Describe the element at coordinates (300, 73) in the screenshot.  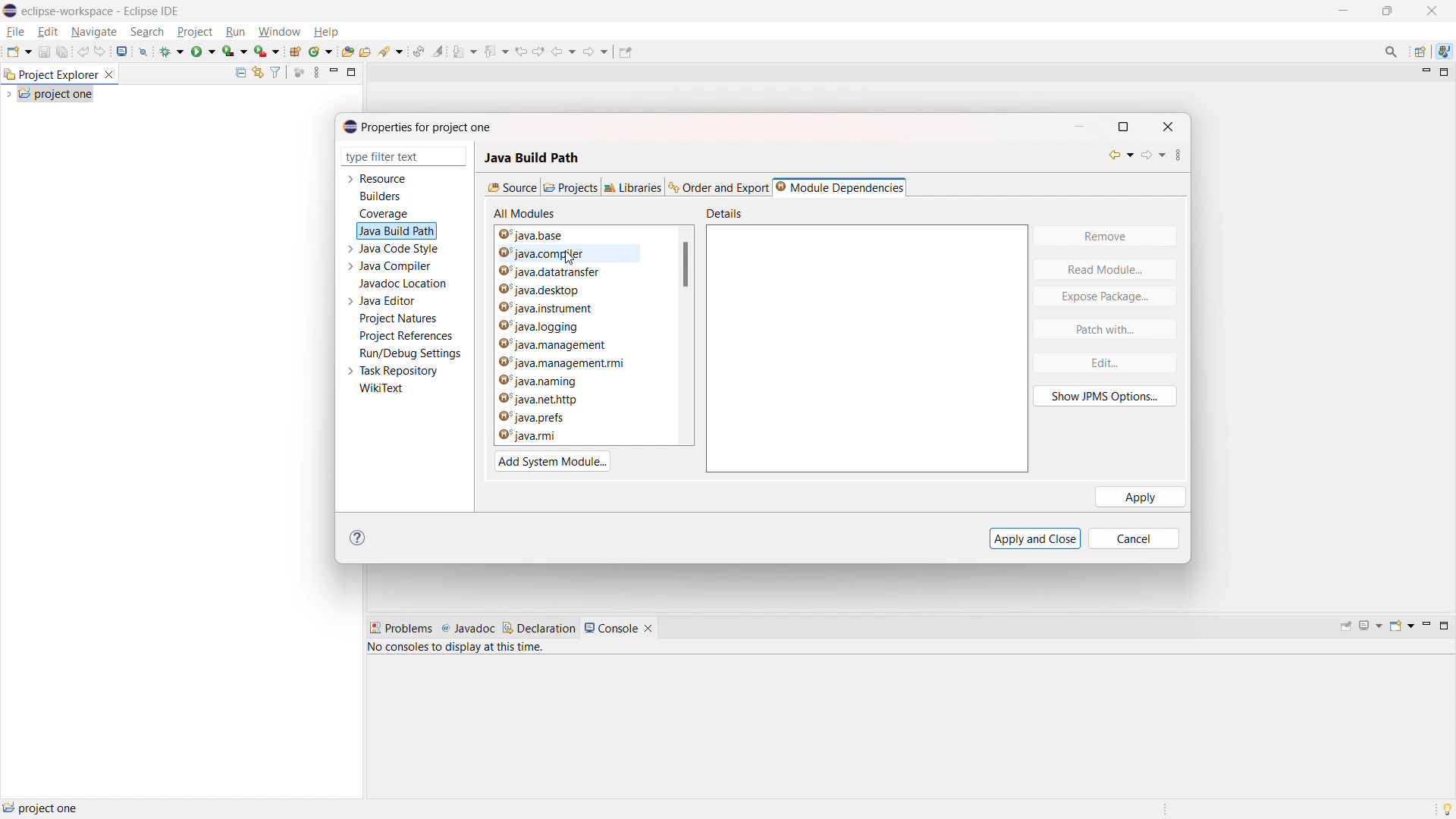
I see `focus on active task ` at that location.